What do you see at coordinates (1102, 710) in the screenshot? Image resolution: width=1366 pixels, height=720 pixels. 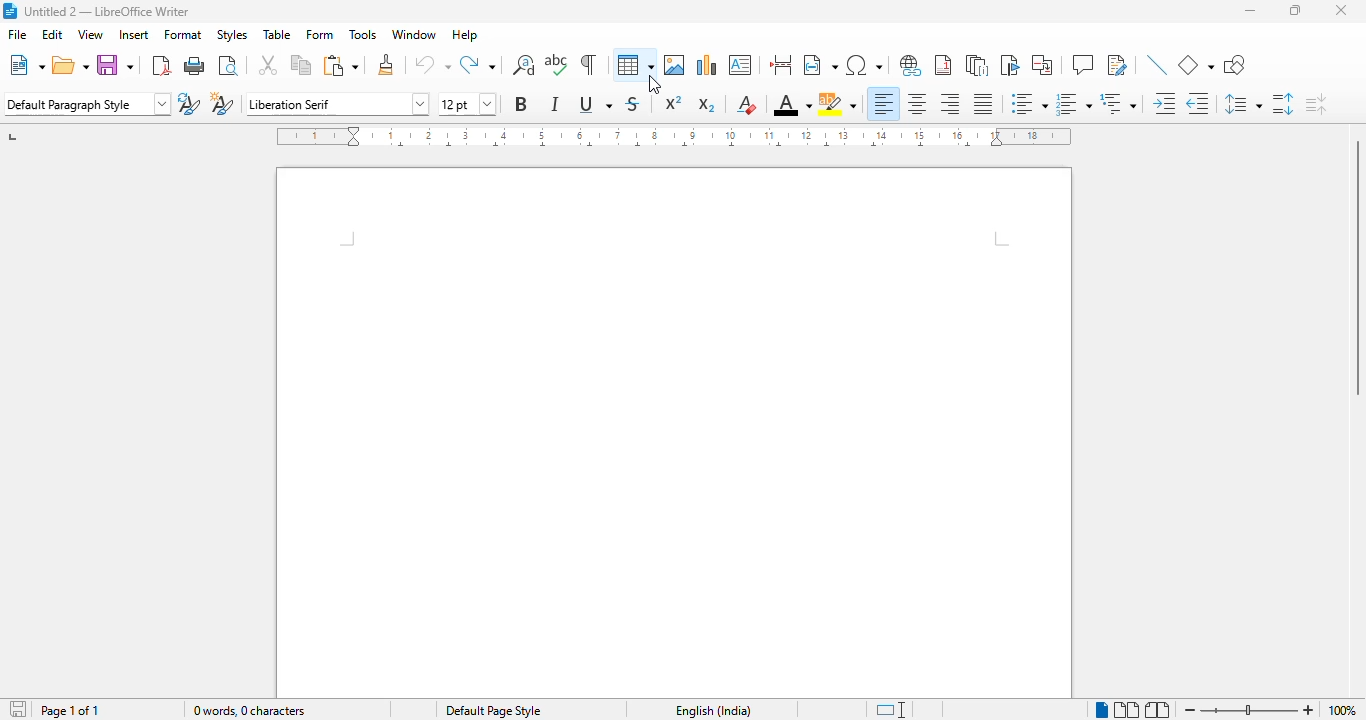 I see `single-page view` at bounding box center [1102, 710].